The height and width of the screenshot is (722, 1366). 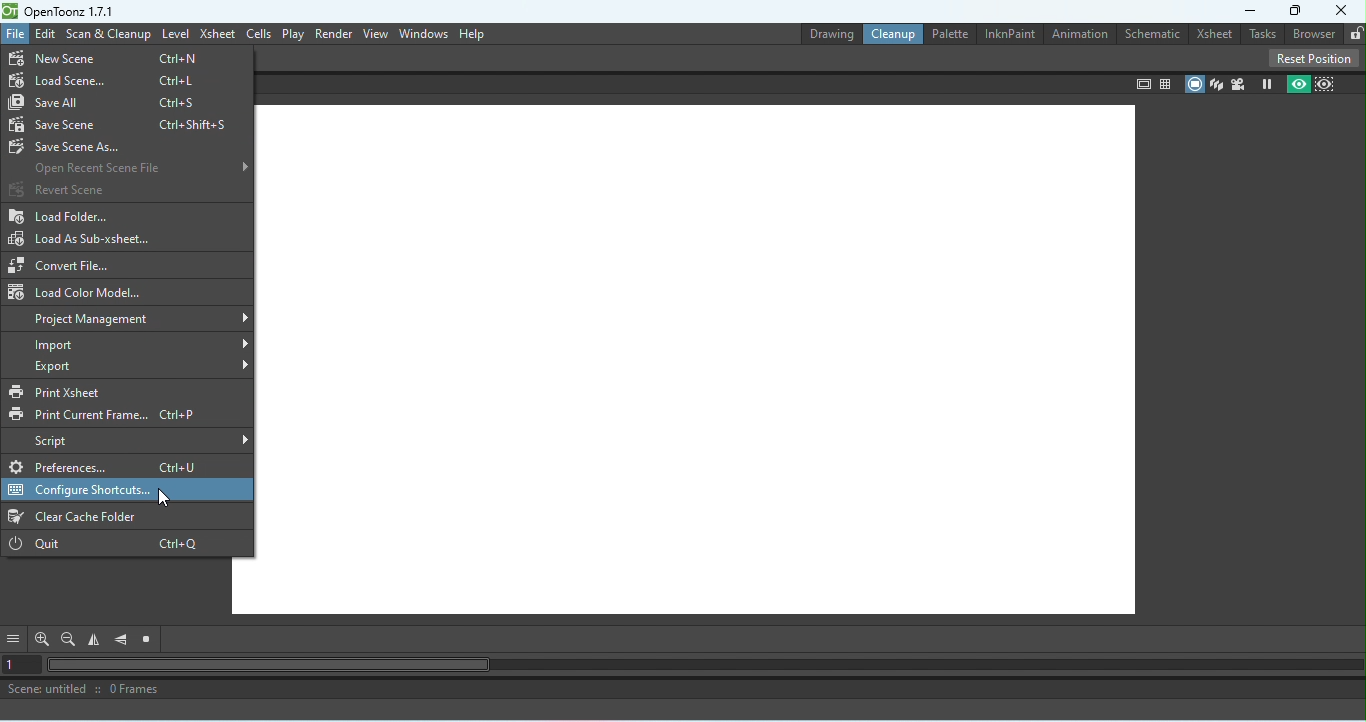 I want to click on Save scene, so click(x=126, y=121).